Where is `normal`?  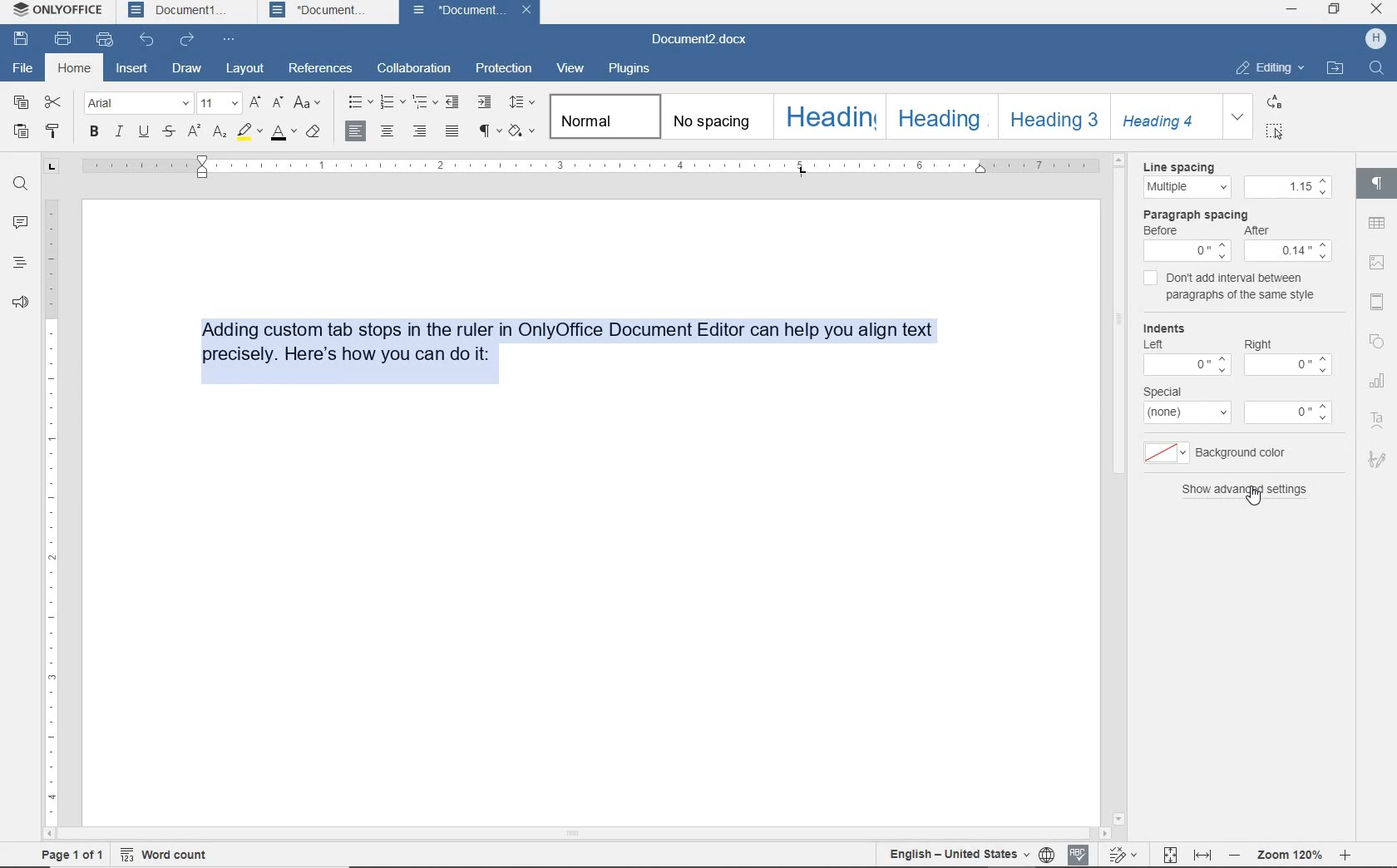 normal is located at coordinates (602, 116).